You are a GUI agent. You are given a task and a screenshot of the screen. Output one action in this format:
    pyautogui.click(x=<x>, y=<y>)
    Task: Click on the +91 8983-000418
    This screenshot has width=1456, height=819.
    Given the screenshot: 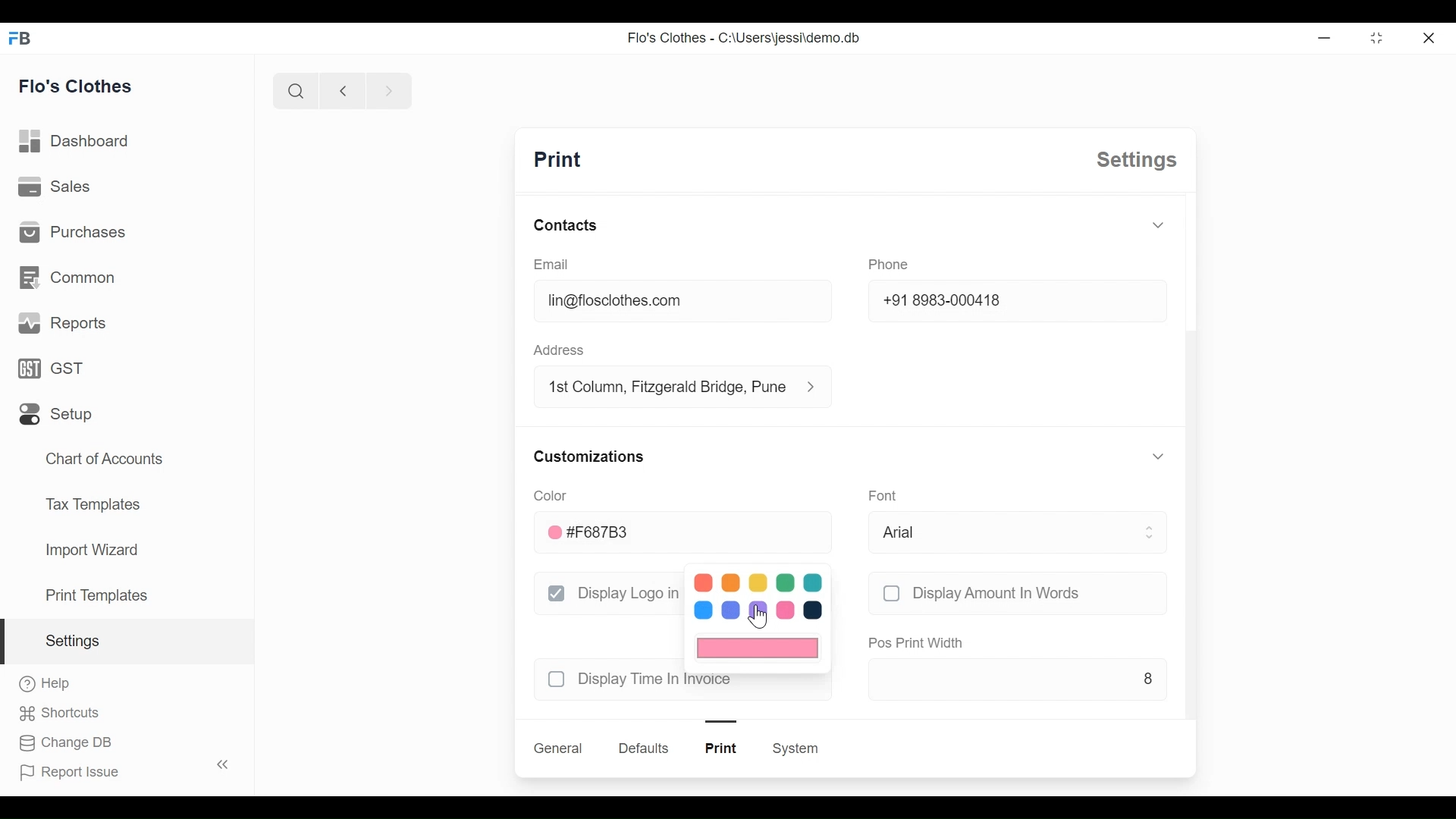 What is the action you would take?
    pyautogui.click(x=1018, y=300)
    